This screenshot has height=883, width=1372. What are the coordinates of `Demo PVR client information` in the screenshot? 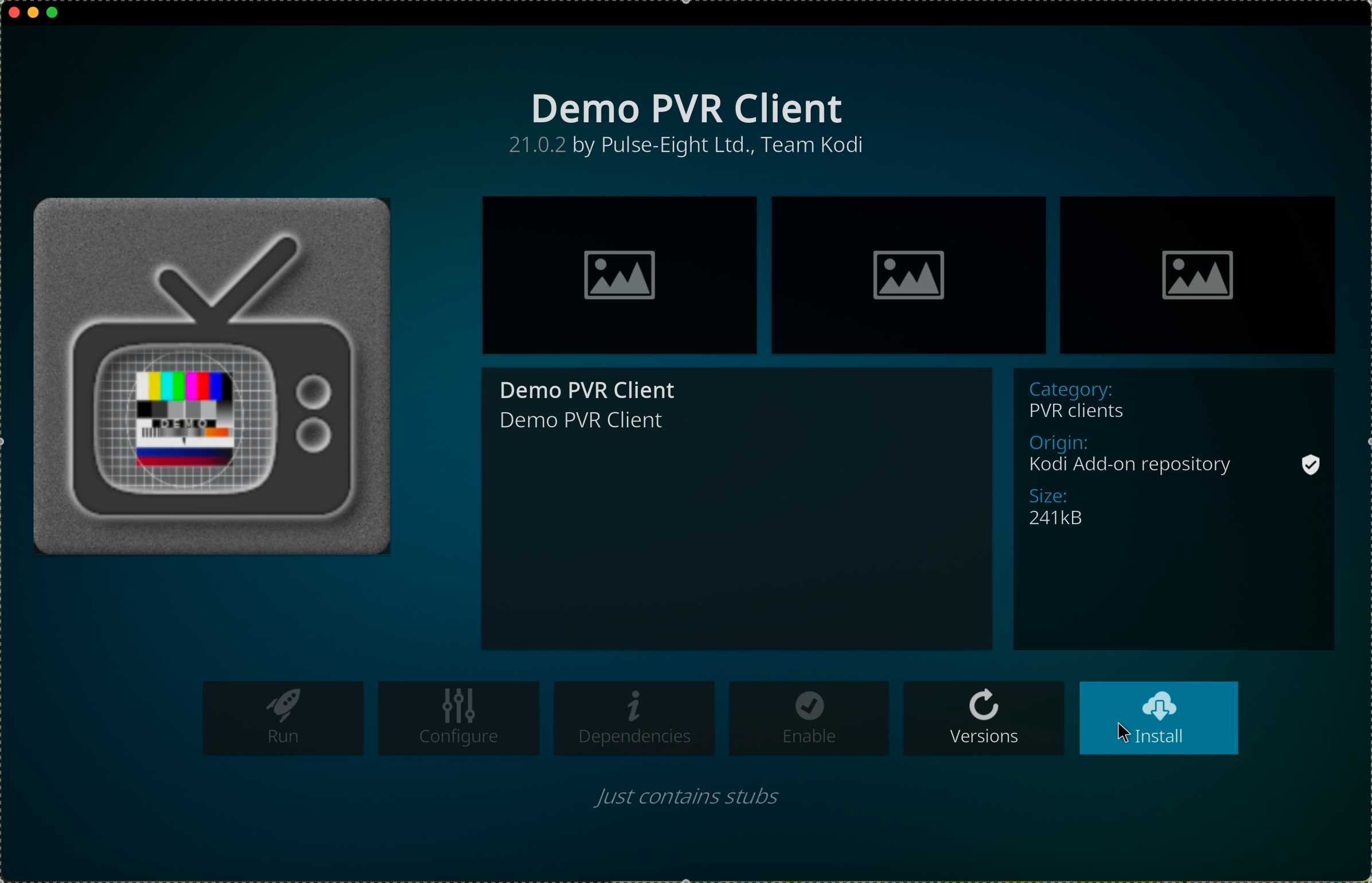 It's located at (1174, 510).